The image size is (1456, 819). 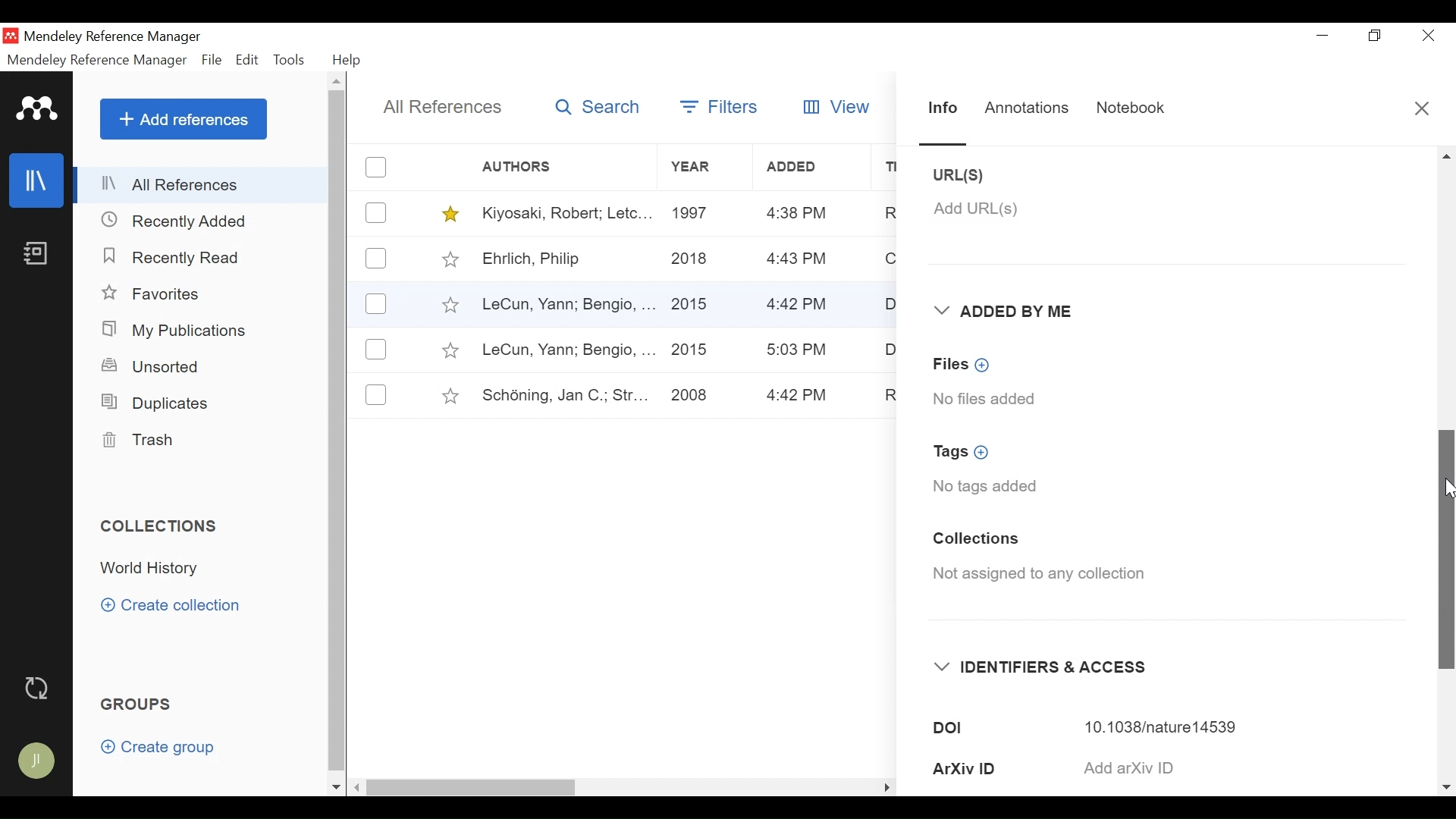 What do you see at coordinates (336, 787) in the screenshot?
I see `Scroll down` at bounding box center [336, 787].